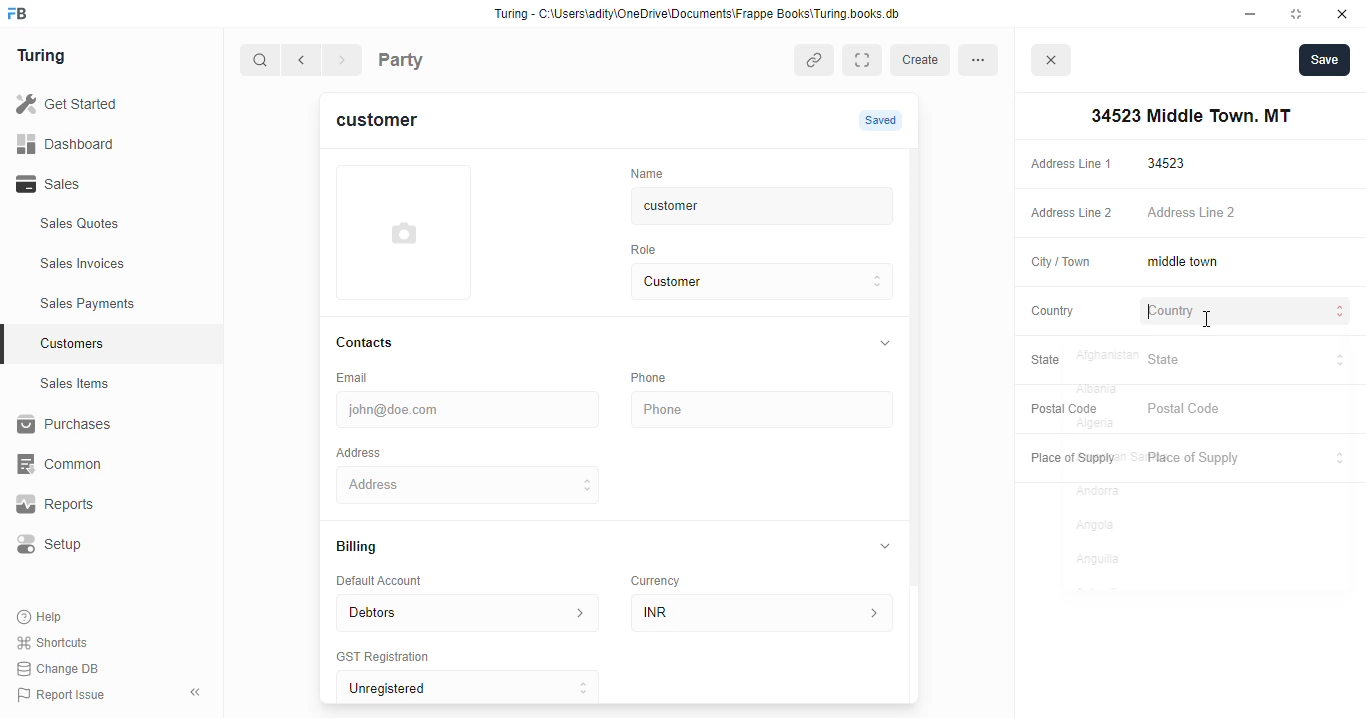 Image resolution: width=1366 pixels, height=718 pixels. Describe the element at coordinates (305, 61) in the screenshot. I see `go back` at that location.